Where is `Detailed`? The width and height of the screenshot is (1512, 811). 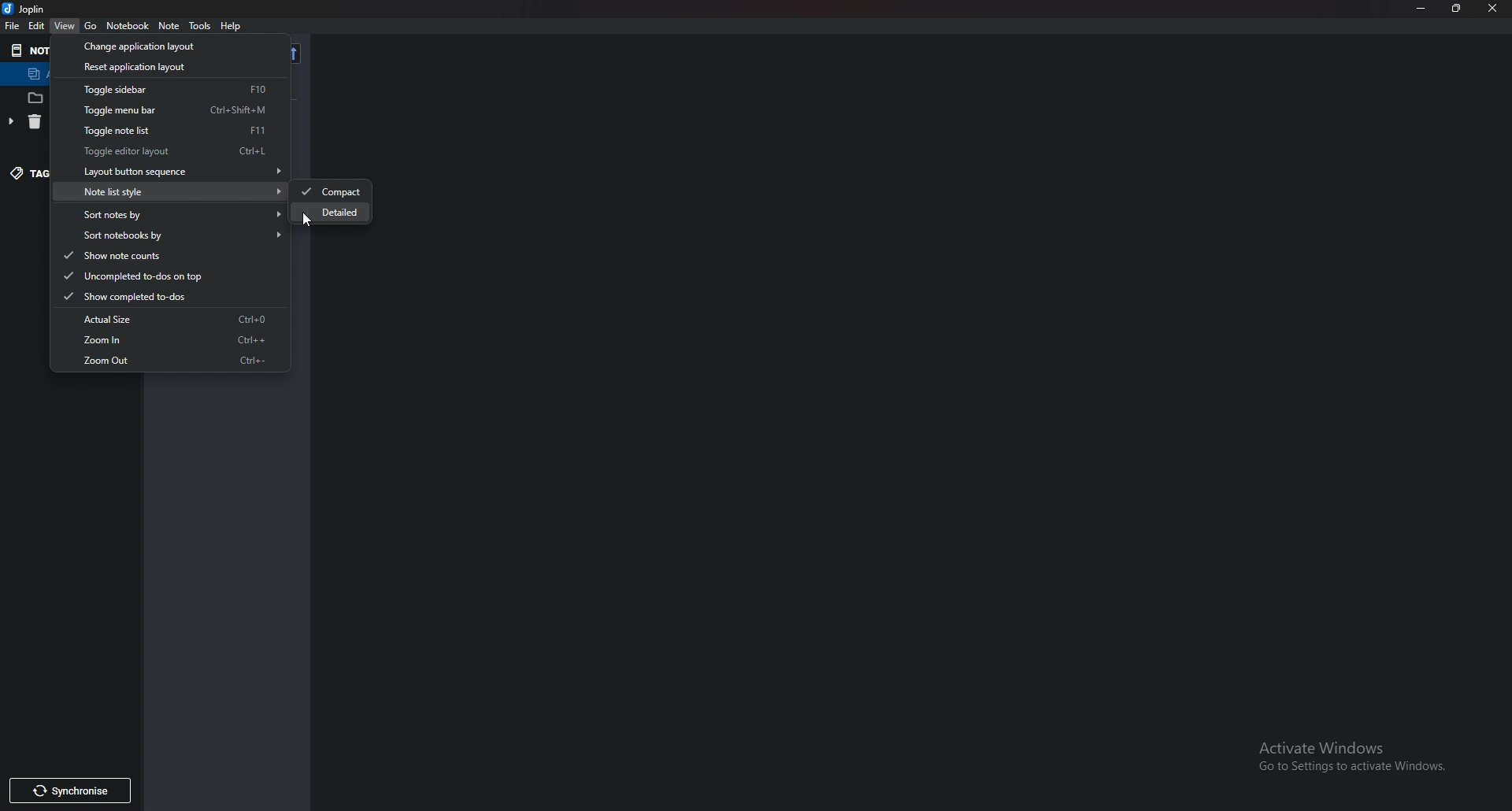 Detailed is located at coordinates (335, 213).